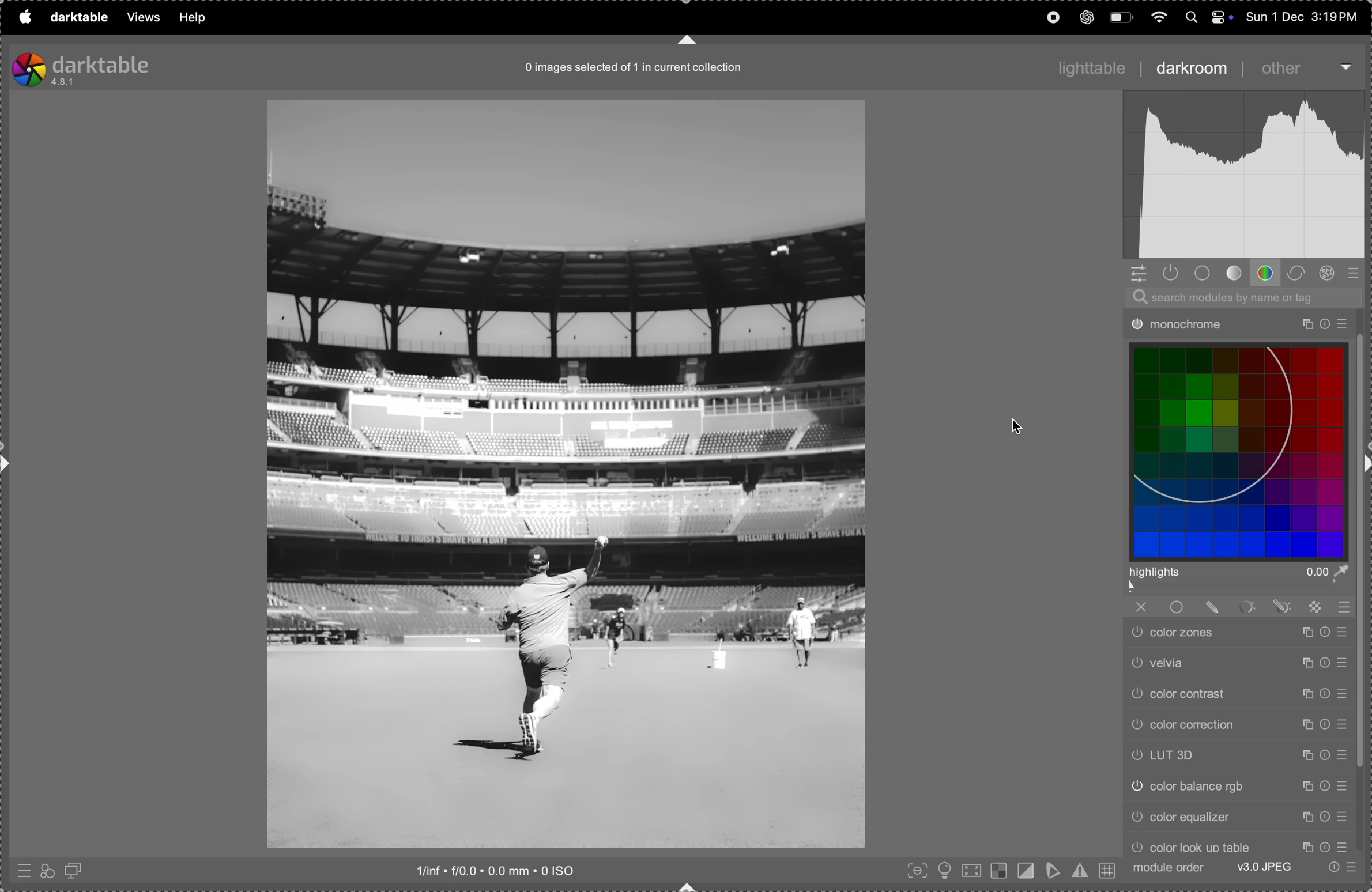 This screenshot has height=892, width=1372. I want to click on quick access panel, so click(1137, 273).